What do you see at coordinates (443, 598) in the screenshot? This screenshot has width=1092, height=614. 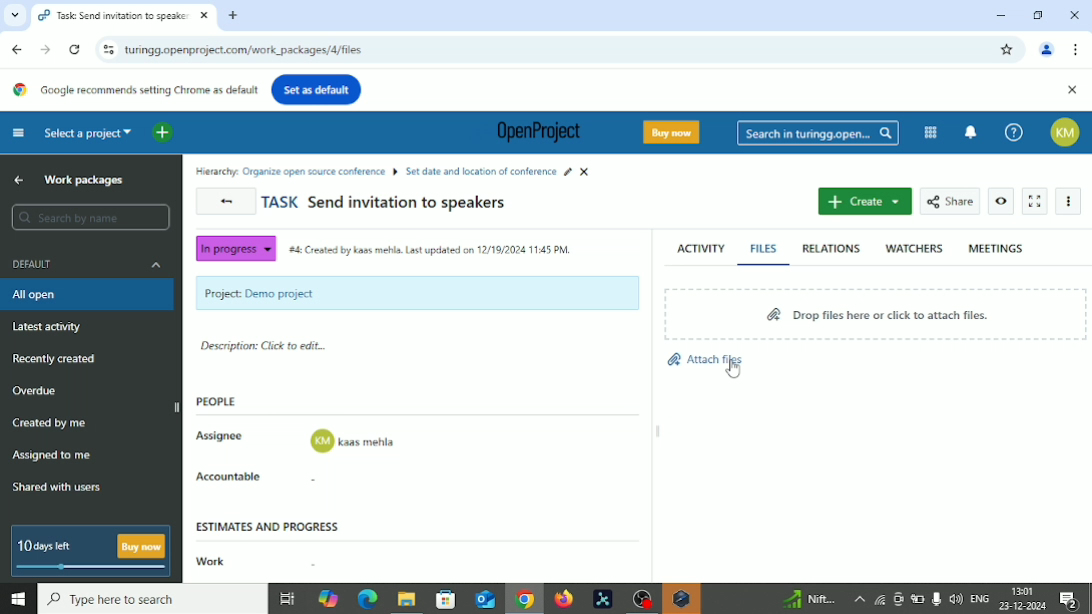 I see `Microsoft store` at bounding box center [443, 598].